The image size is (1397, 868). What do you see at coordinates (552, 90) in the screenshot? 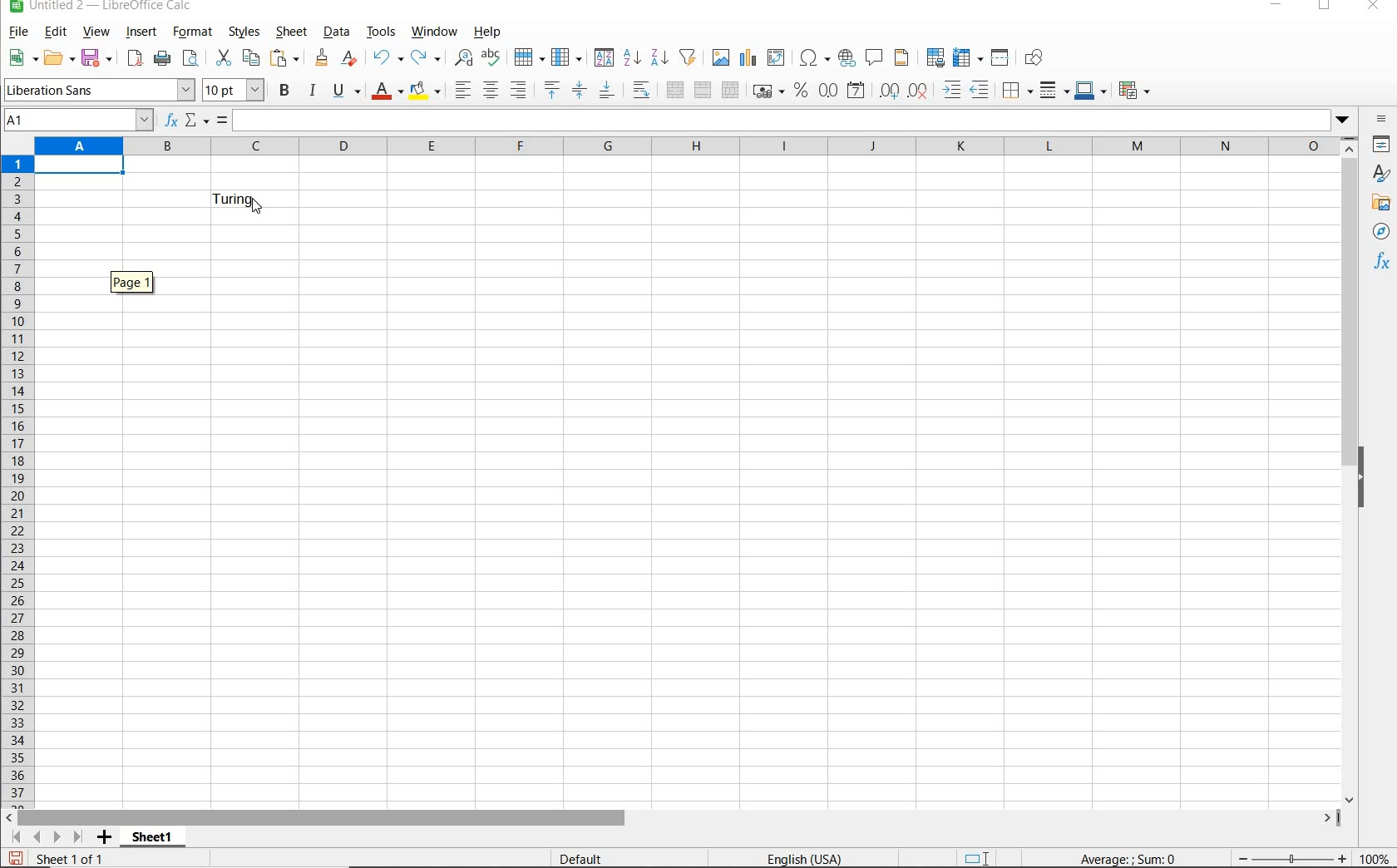
I see `ALIGN TOP` at bounding box center [552, 90].